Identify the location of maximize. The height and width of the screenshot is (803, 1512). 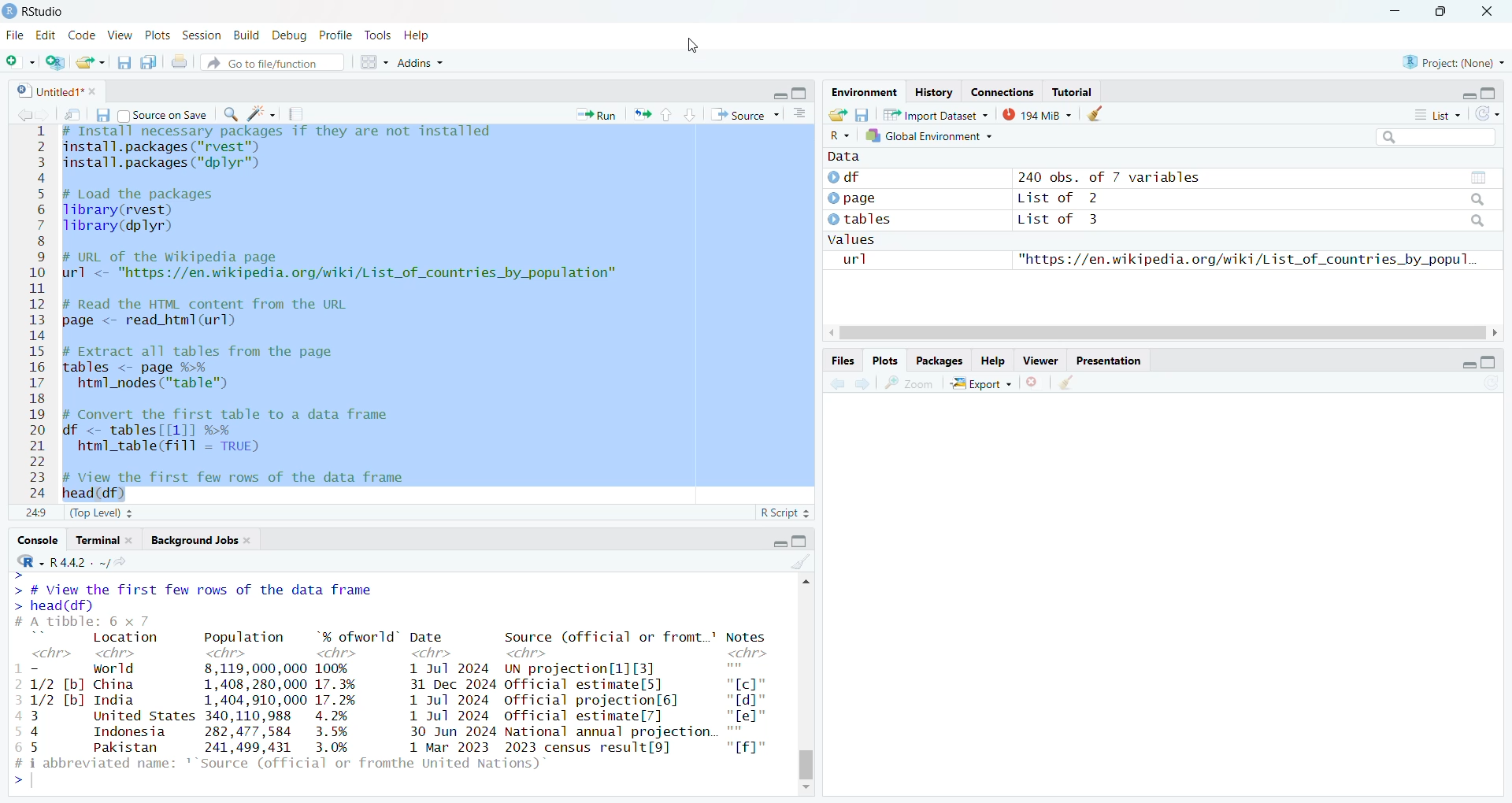
(799, 92).